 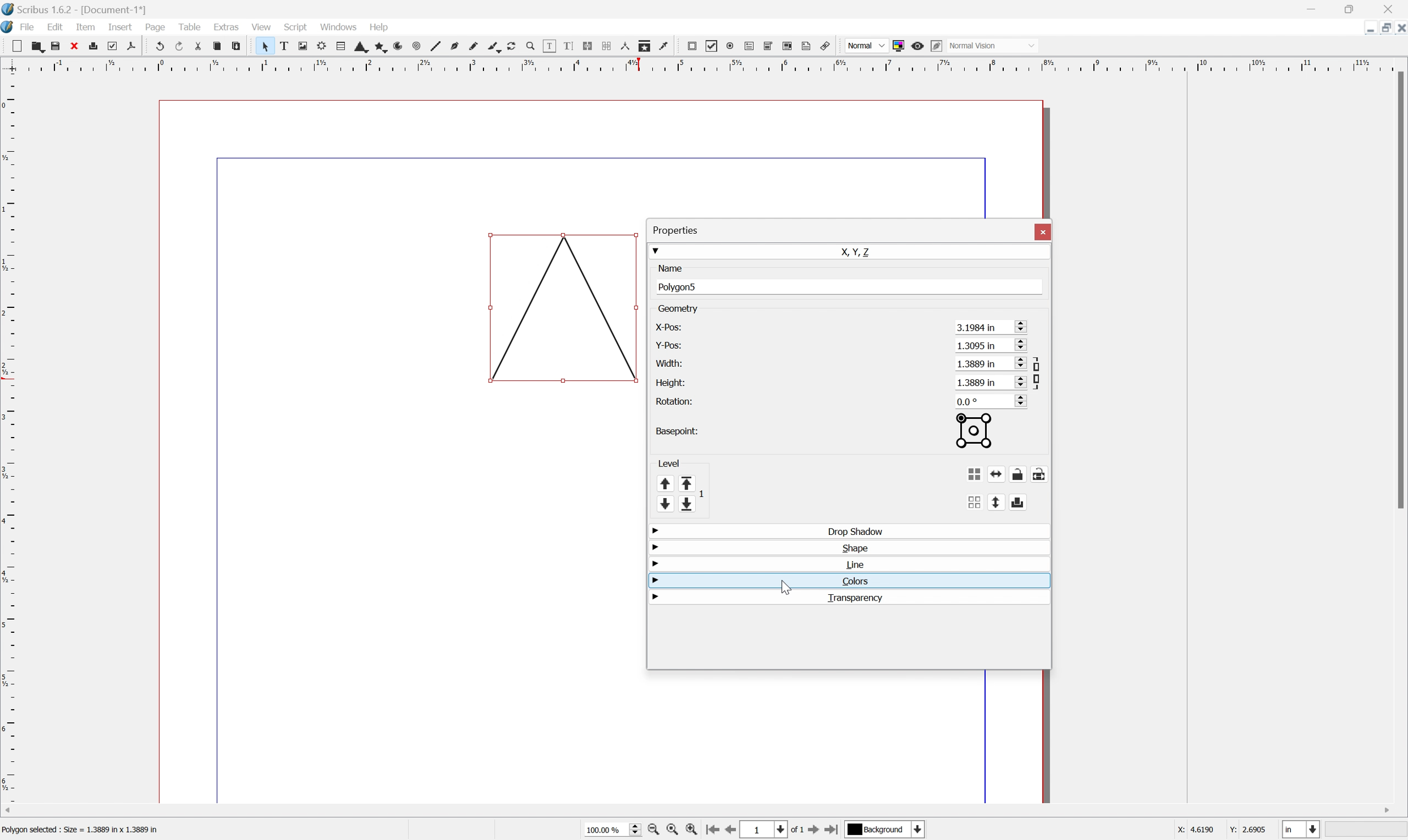 I want to click on Script, so click(x=297, y=27).